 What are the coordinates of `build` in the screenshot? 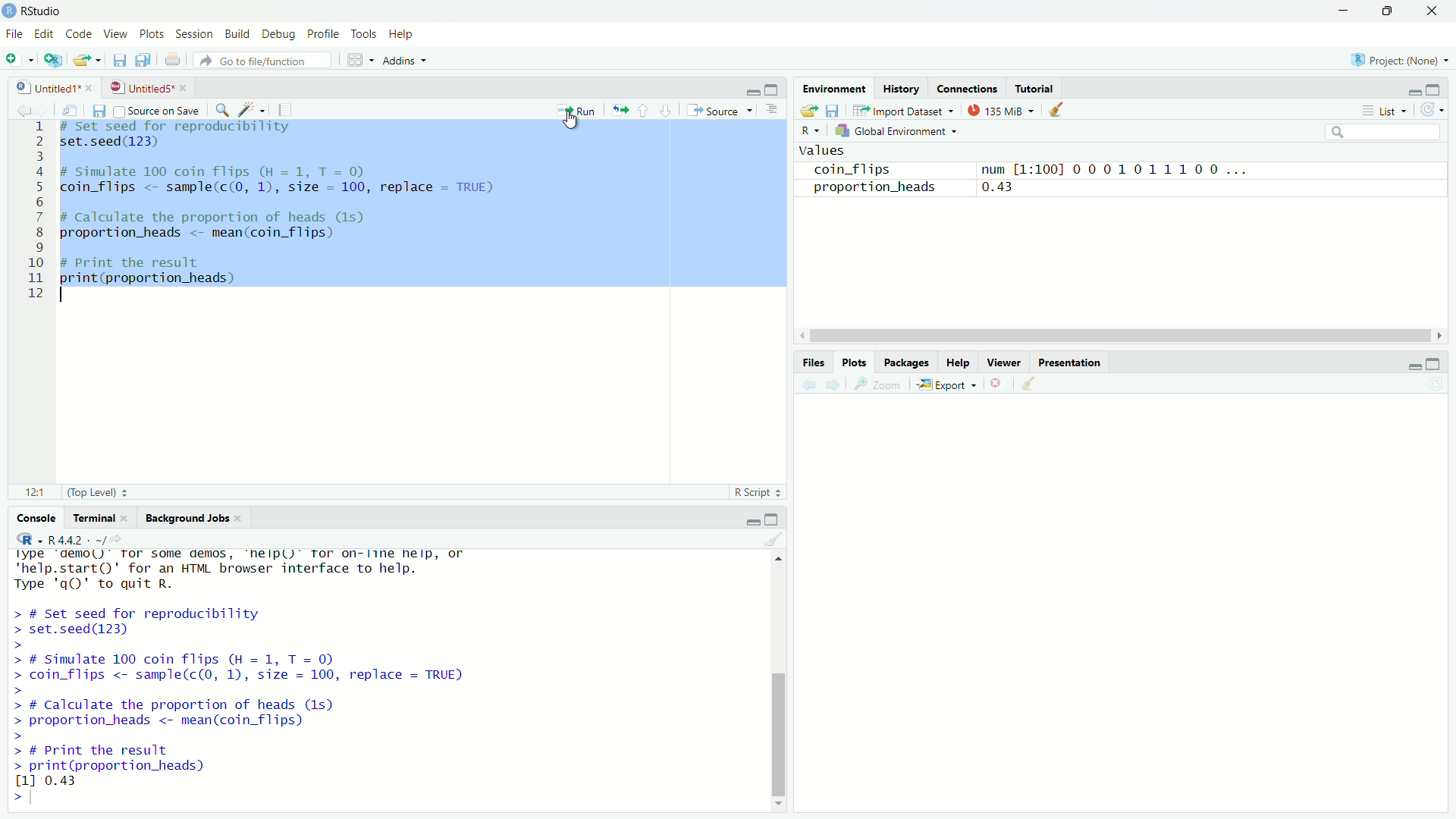 It's located at (240, 33).